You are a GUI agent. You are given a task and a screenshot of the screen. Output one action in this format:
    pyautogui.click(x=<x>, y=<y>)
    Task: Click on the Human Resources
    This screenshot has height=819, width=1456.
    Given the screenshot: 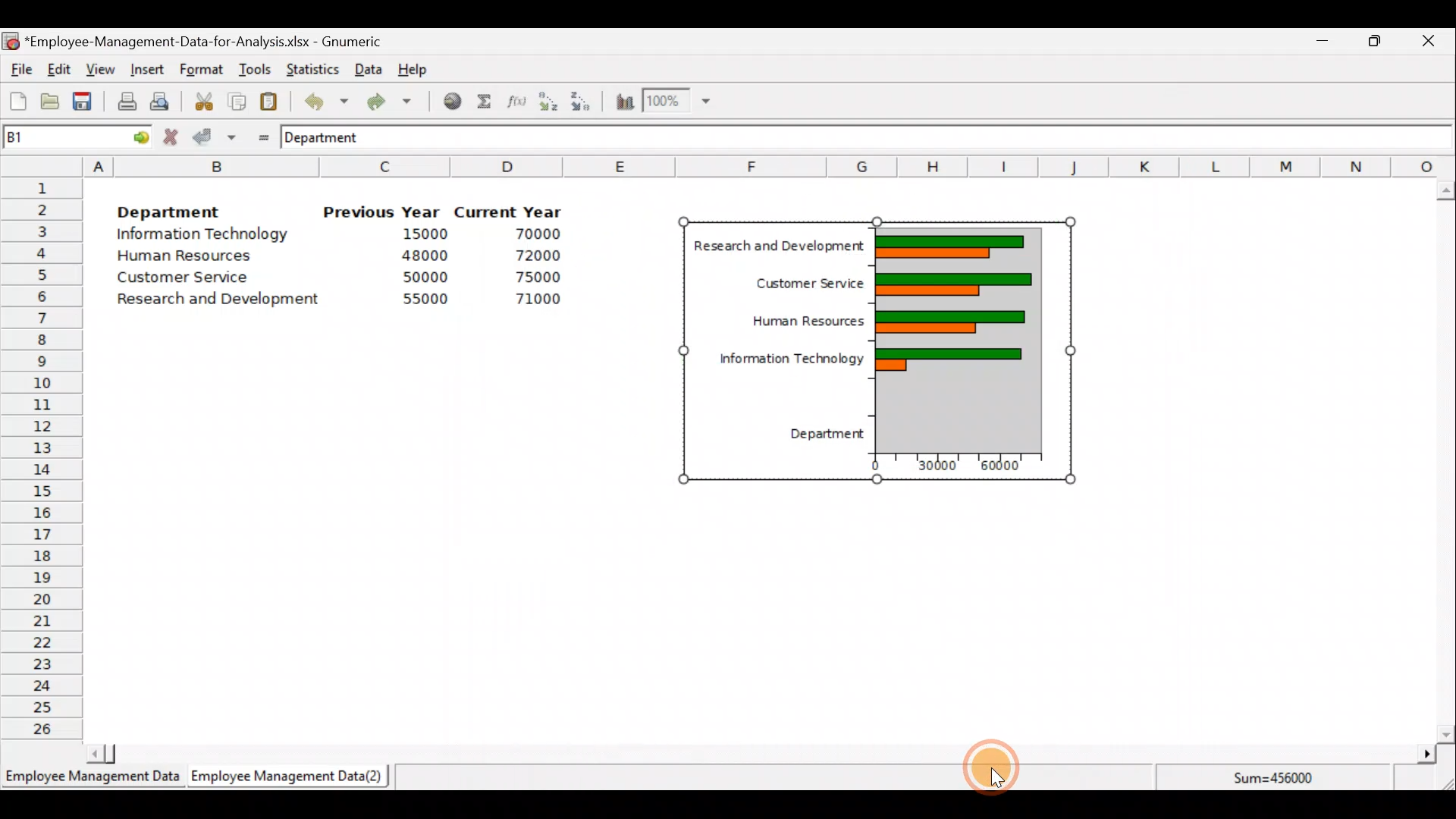 What is the action you would take?
    pyautogui.click(x=809, y=322)
    